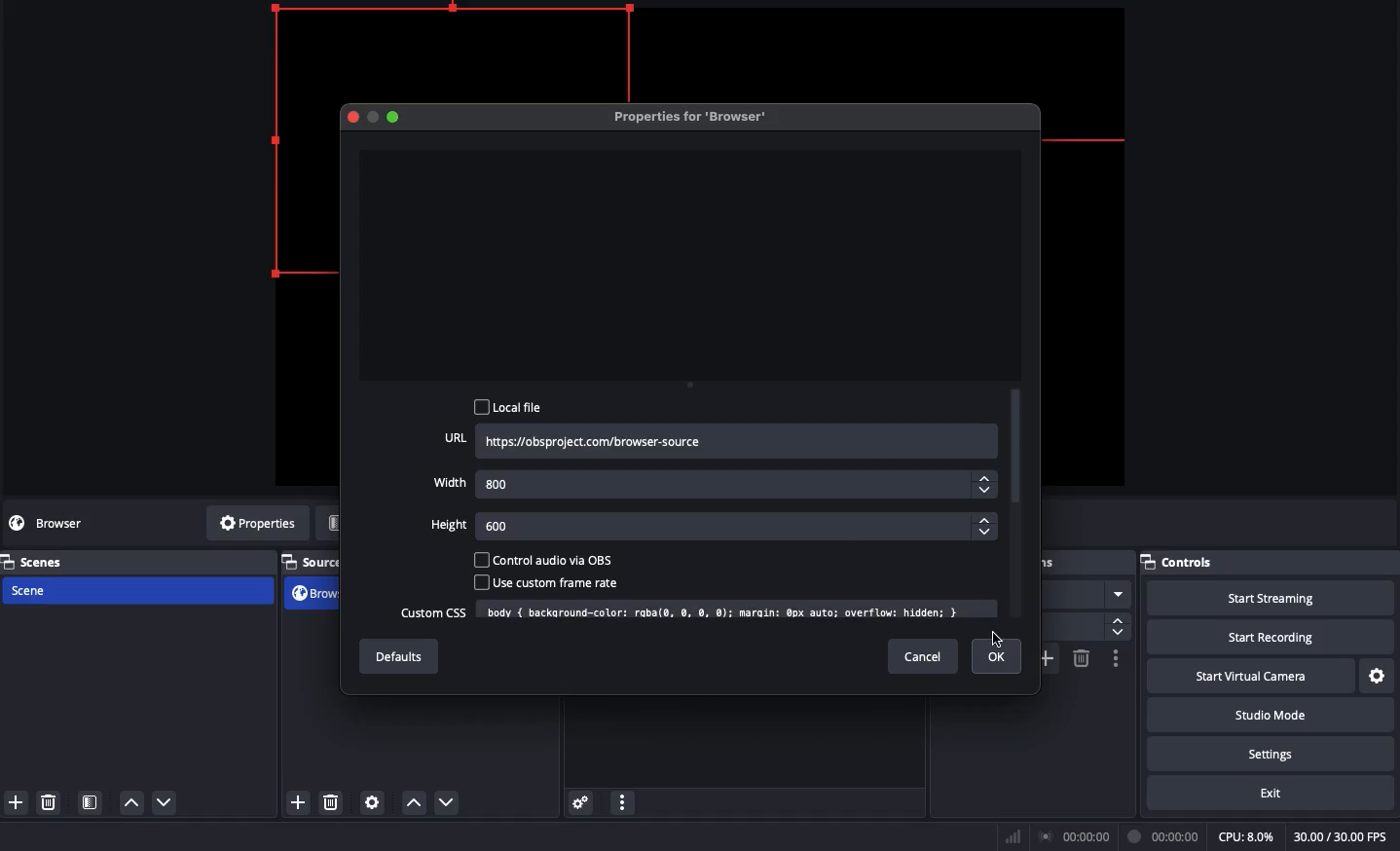 This screenshot has height=851, width=1400. What do you see at coordinates (1179, 562) in the screenshot?
I see `Controls` at bounding box center [1179, 562].